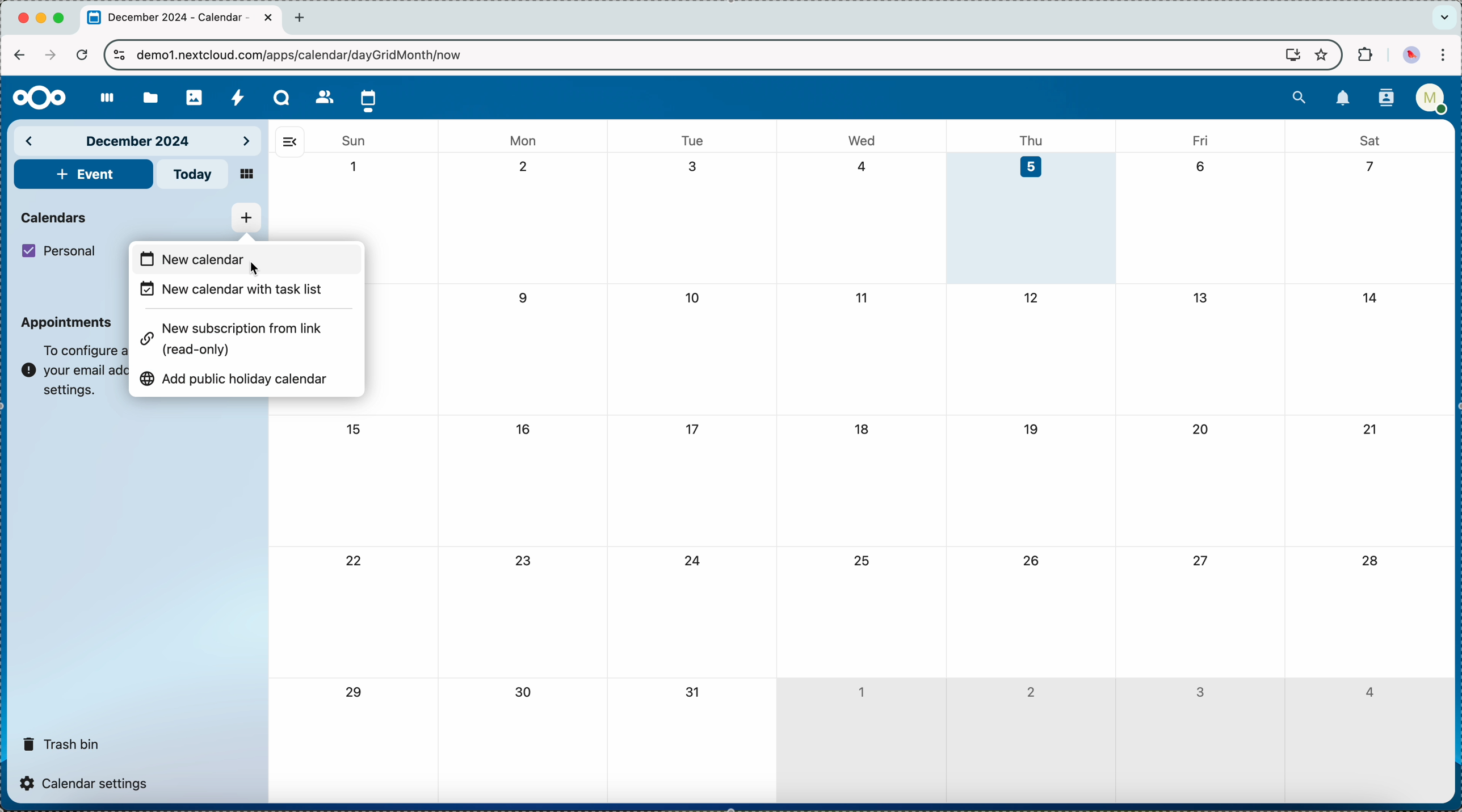 The height and width of the screenshot is (812, 1462). Describe the element at coordinates (369, 99) in the screenshot. I see `click on calendar` at that location.